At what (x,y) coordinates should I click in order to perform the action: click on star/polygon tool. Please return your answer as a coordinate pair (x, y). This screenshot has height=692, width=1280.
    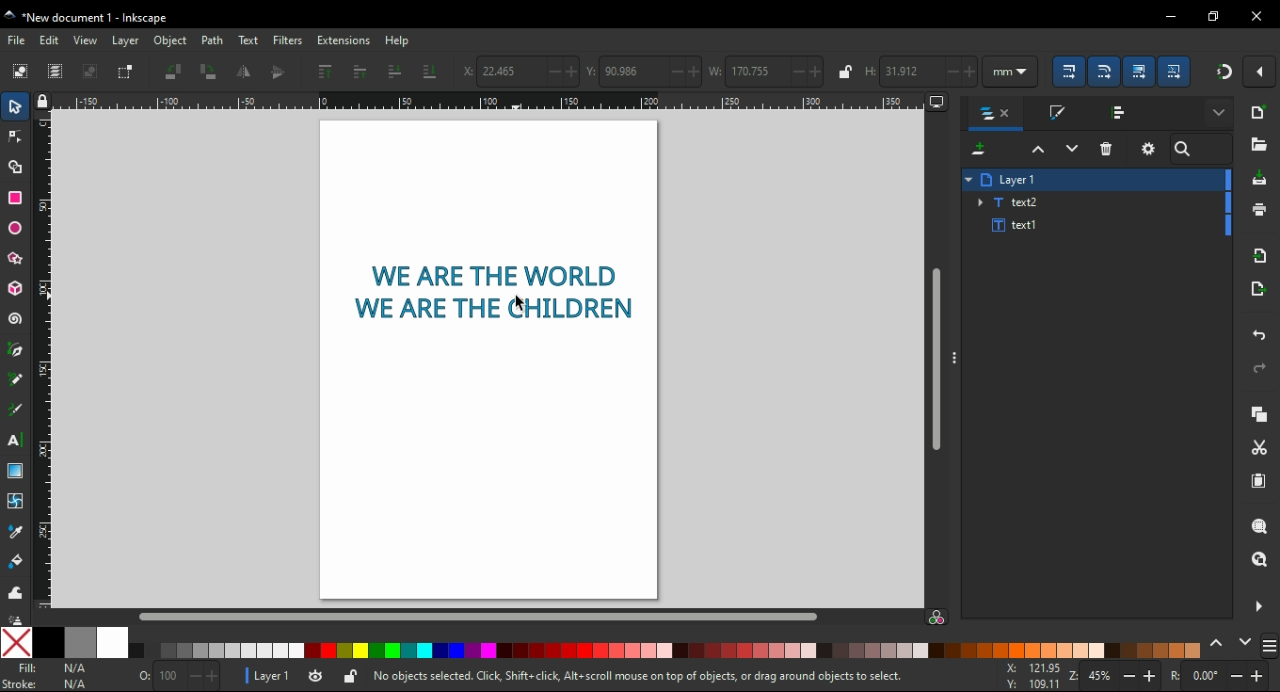
    Looking at the image, I should click on (14, 258).